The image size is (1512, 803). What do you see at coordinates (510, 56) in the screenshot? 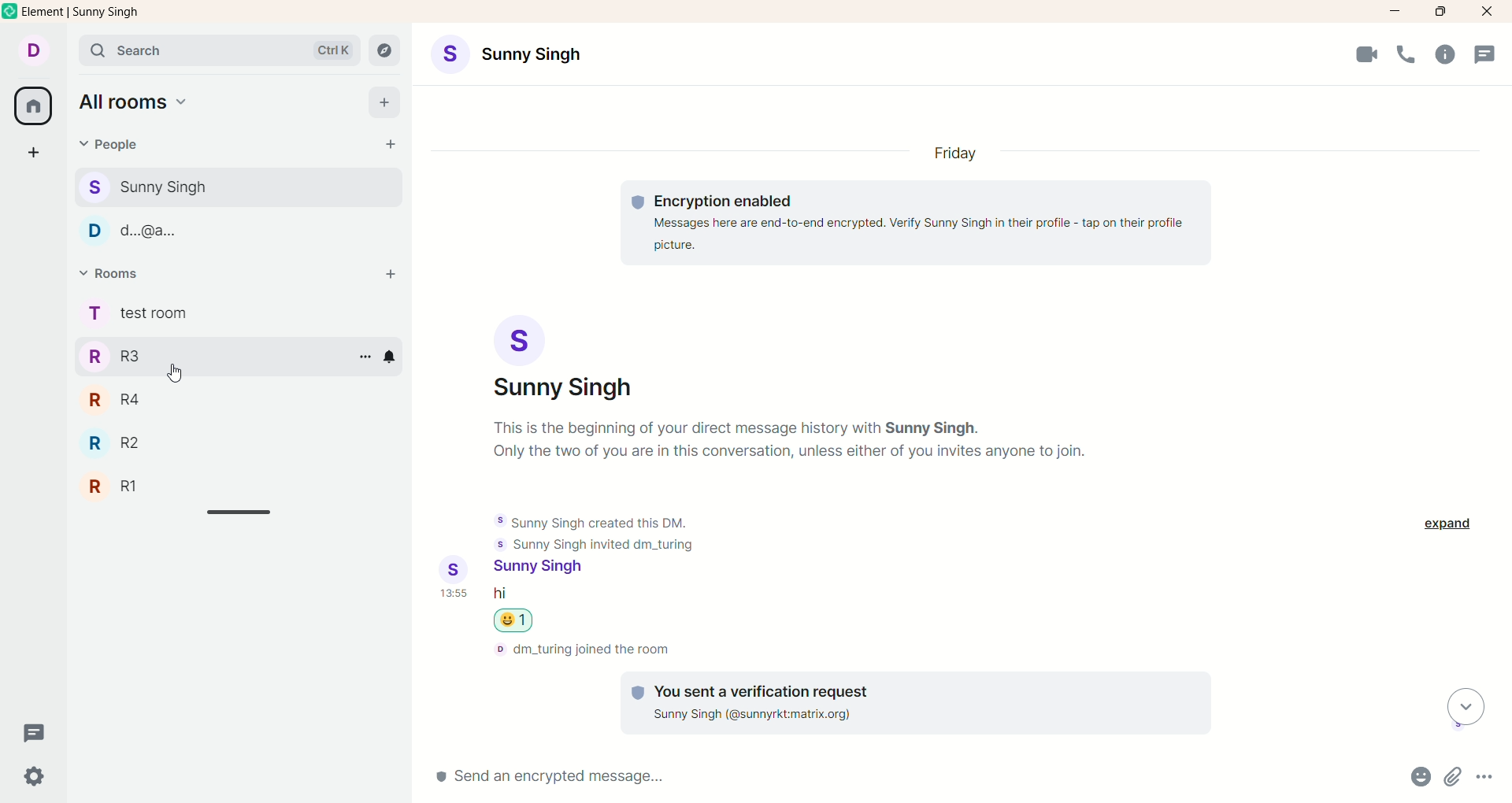
I see `account` at bounding box center [510, 56].